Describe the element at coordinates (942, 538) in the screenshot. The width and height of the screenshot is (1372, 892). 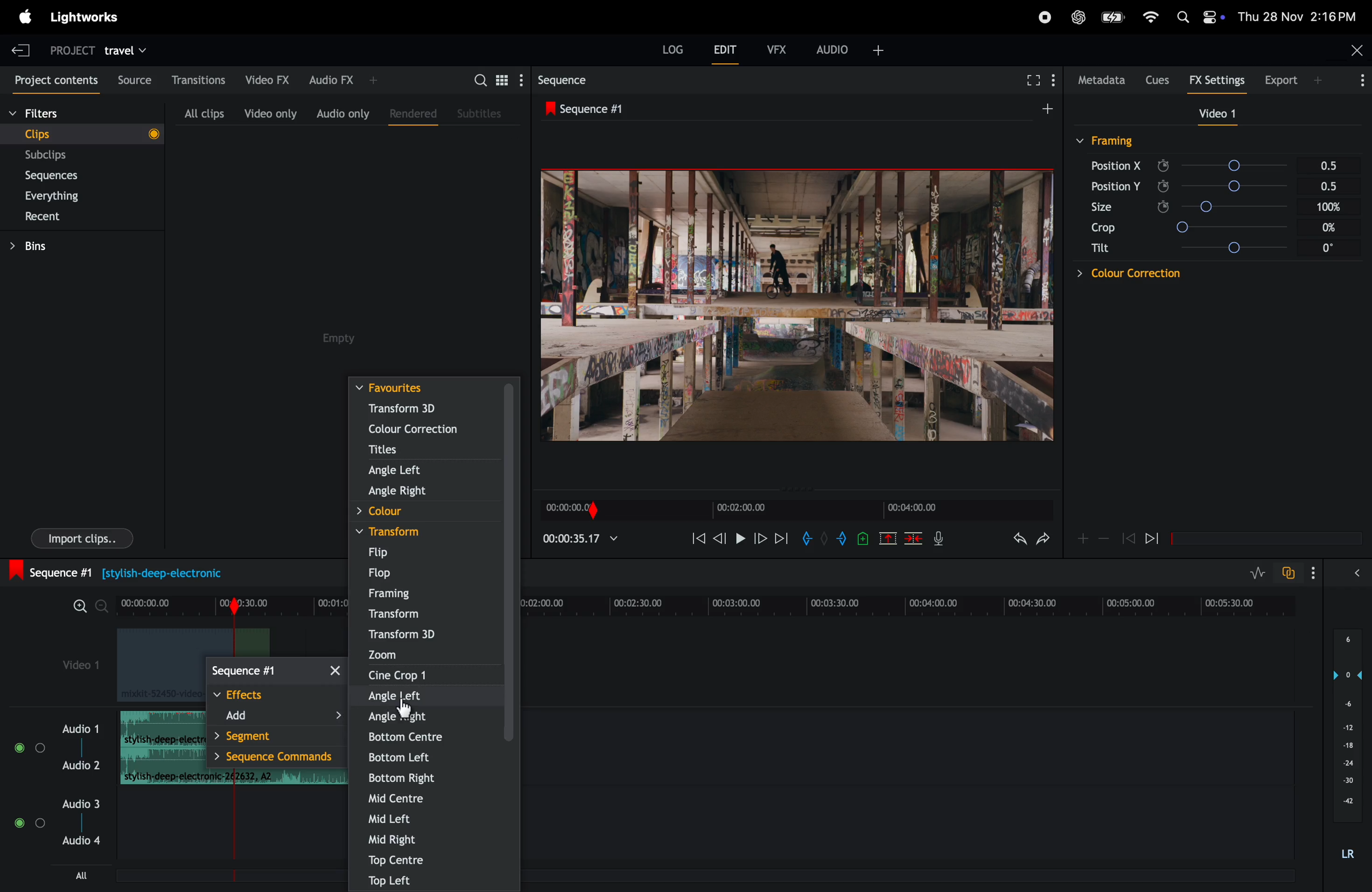
I see `mic` at that location.